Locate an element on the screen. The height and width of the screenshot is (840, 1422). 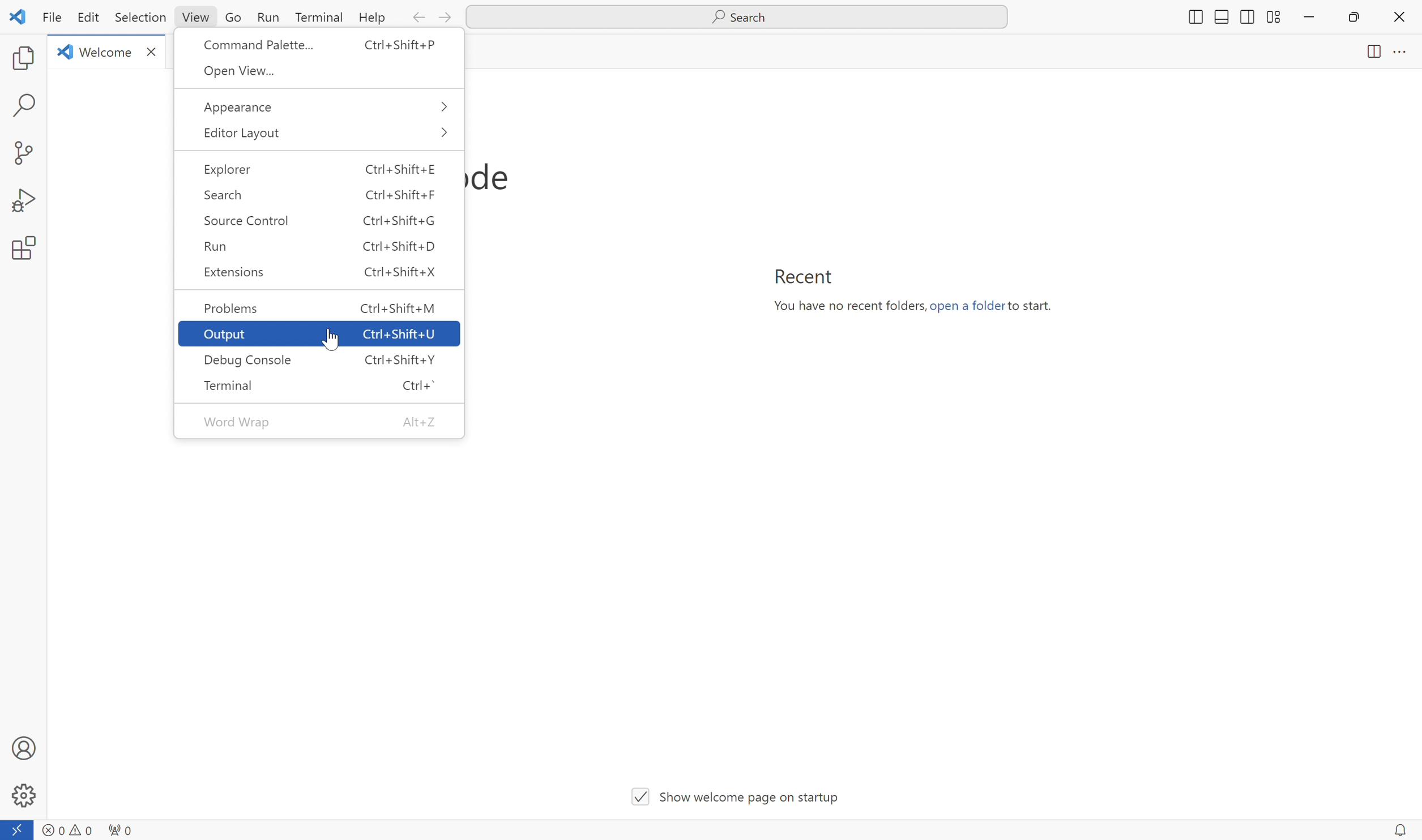
copy is located at coordinates (19, 59).